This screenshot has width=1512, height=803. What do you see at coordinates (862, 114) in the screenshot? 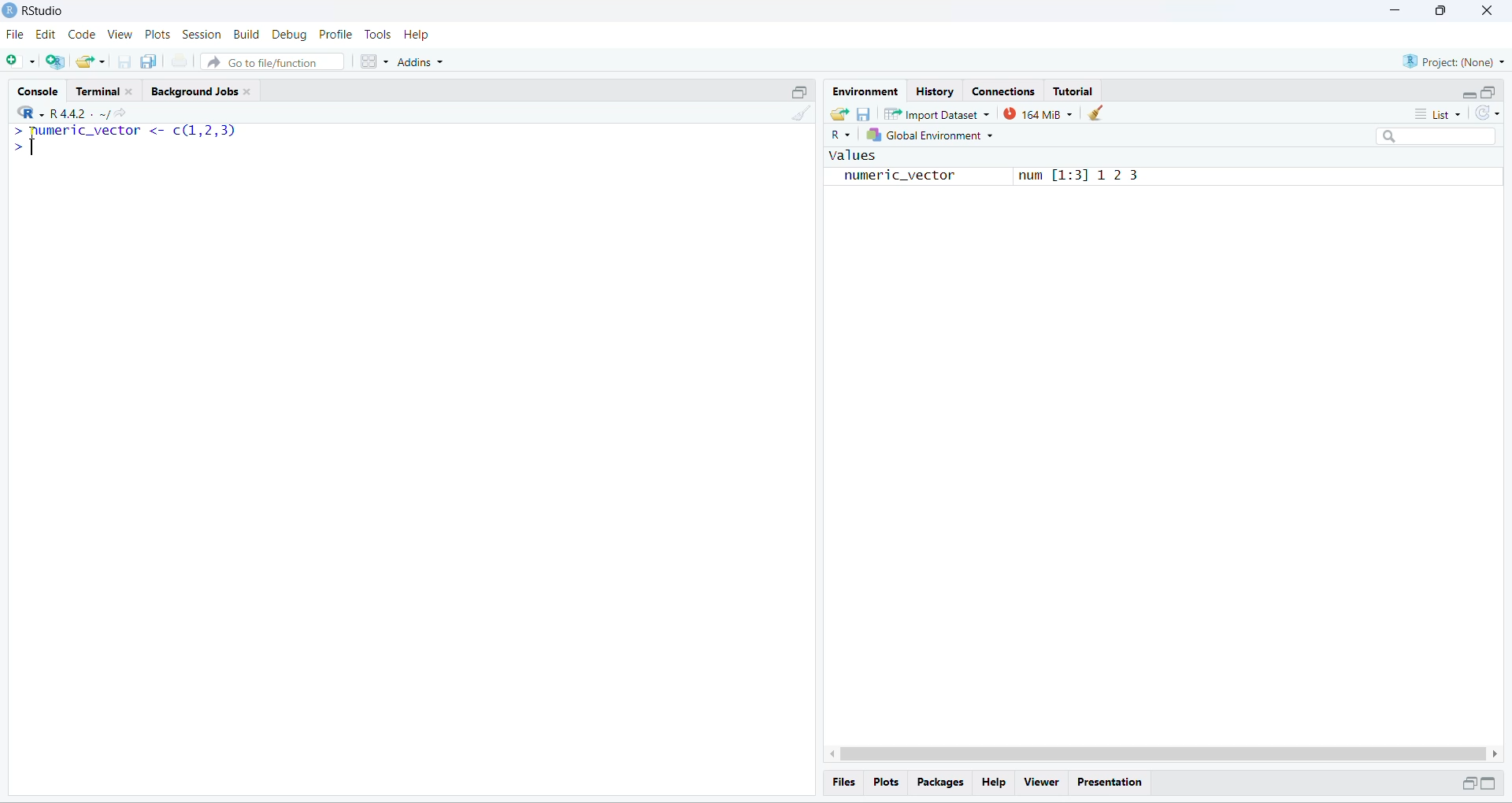
I see `save` at bounding box center [862, 114].